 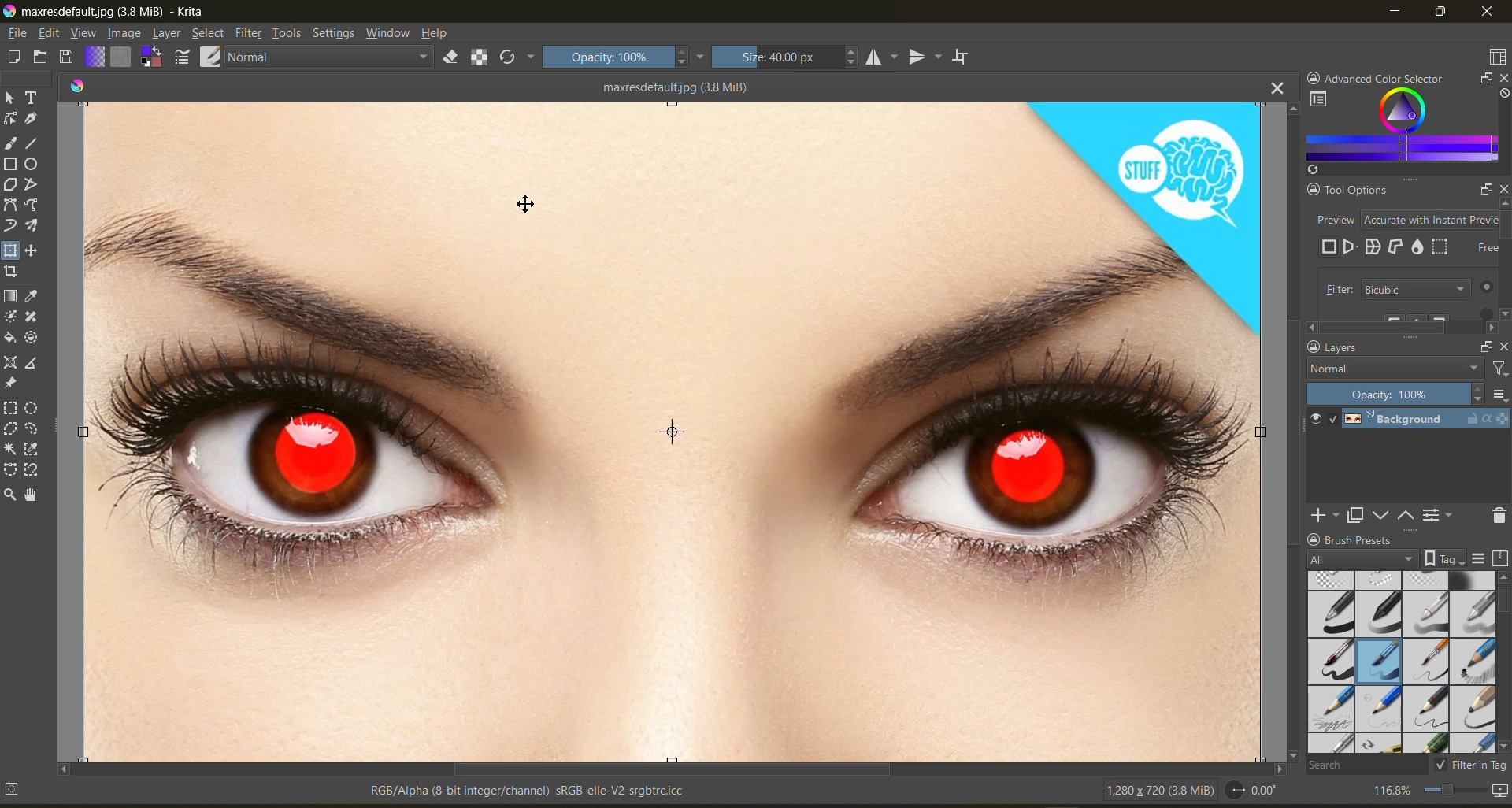 What do you see at coordinates (20, 33) in the screenshot?
I see `file` at bounding box center [20, 33].